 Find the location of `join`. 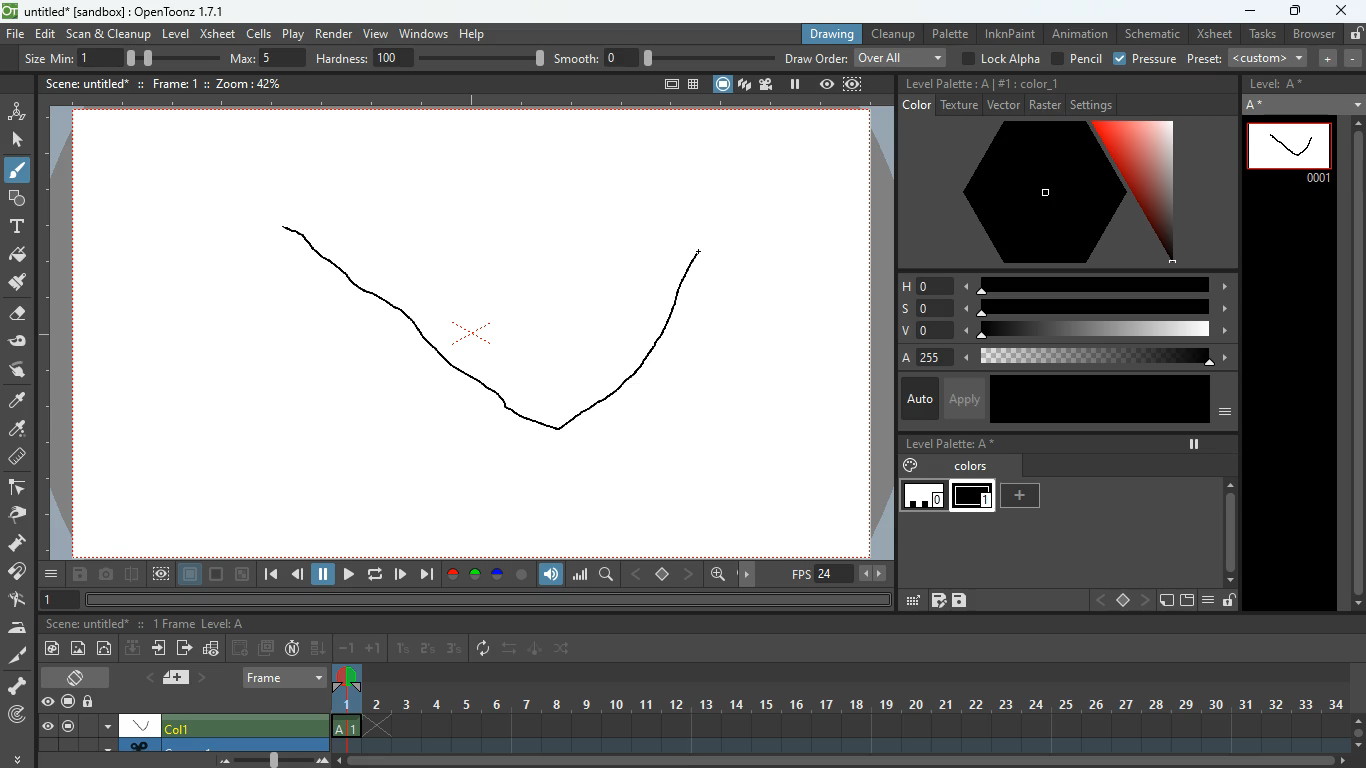

join is located at coordinates (18, 574).